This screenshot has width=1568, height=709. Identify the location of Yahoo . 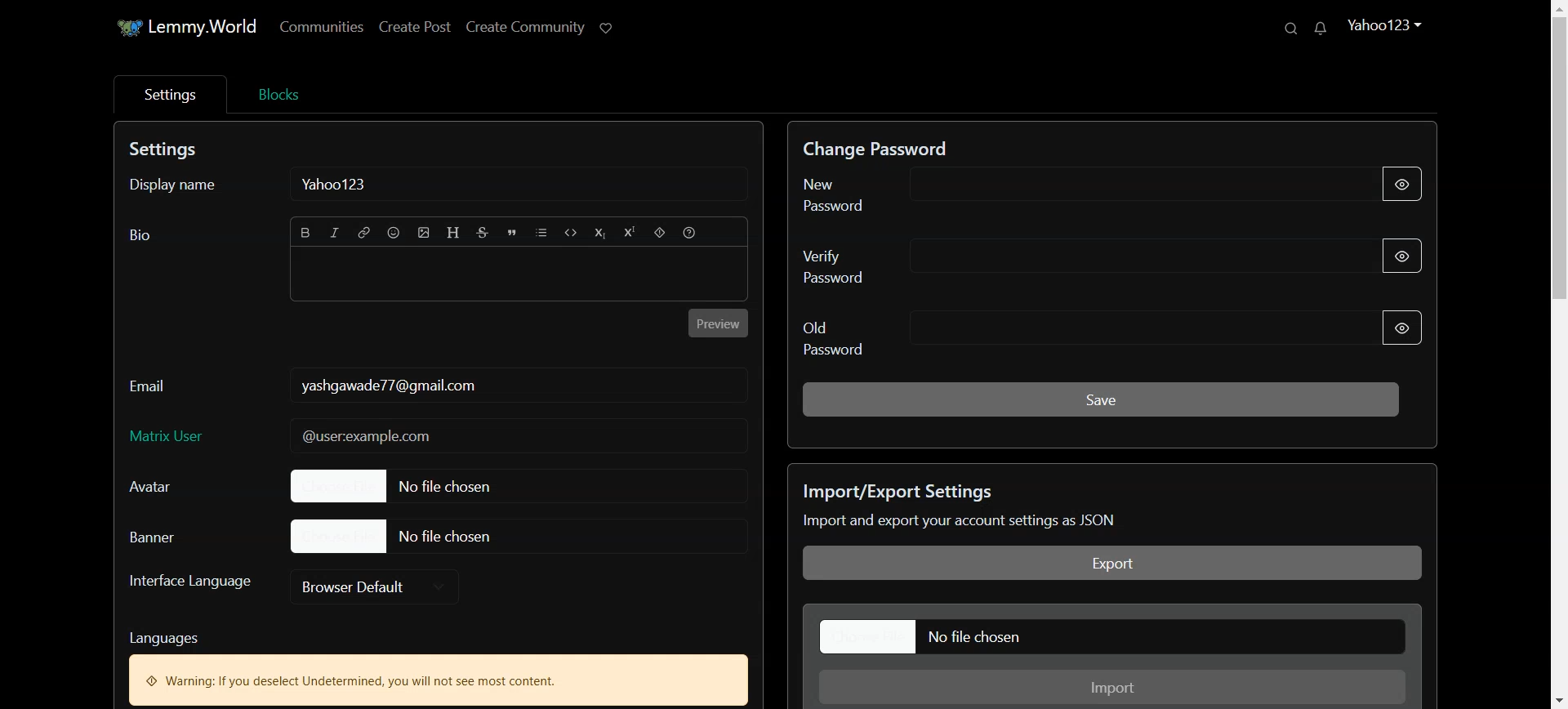
(1385, 23).